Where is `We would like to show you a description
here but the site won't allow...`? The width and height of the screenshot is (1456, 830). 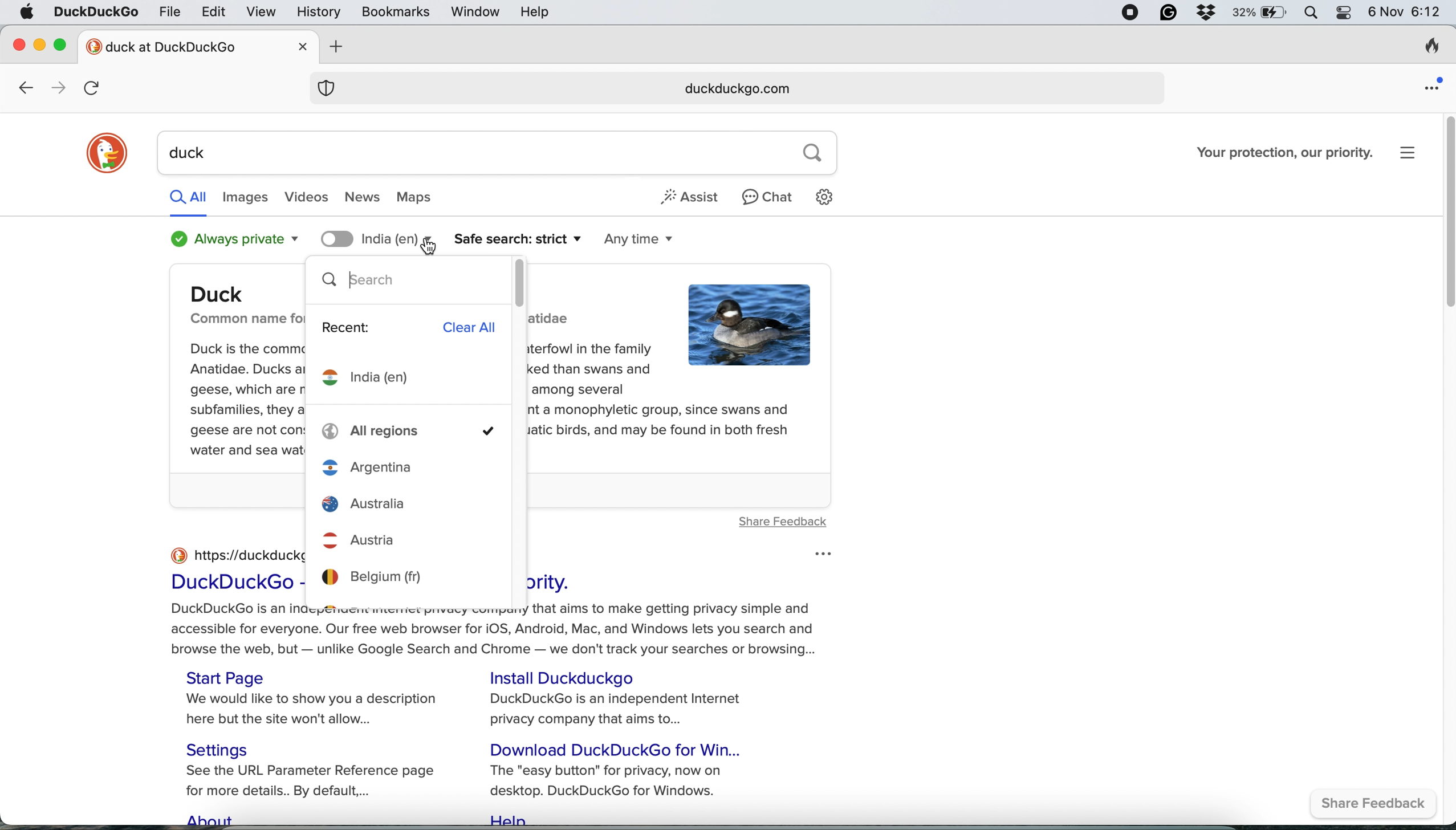 We would like to show you a description
here but the site won't allow... is located at coordinates (317, 711).